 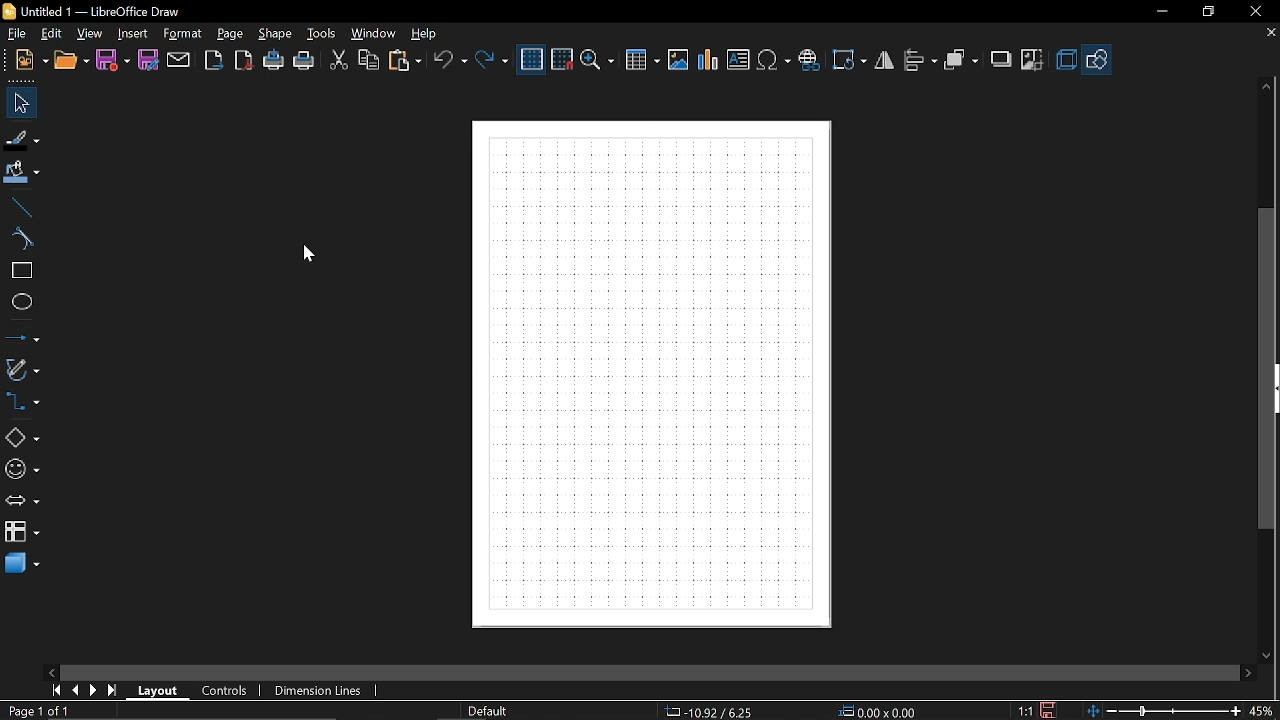 I want to click on previous page, so click(x=77, y=691).